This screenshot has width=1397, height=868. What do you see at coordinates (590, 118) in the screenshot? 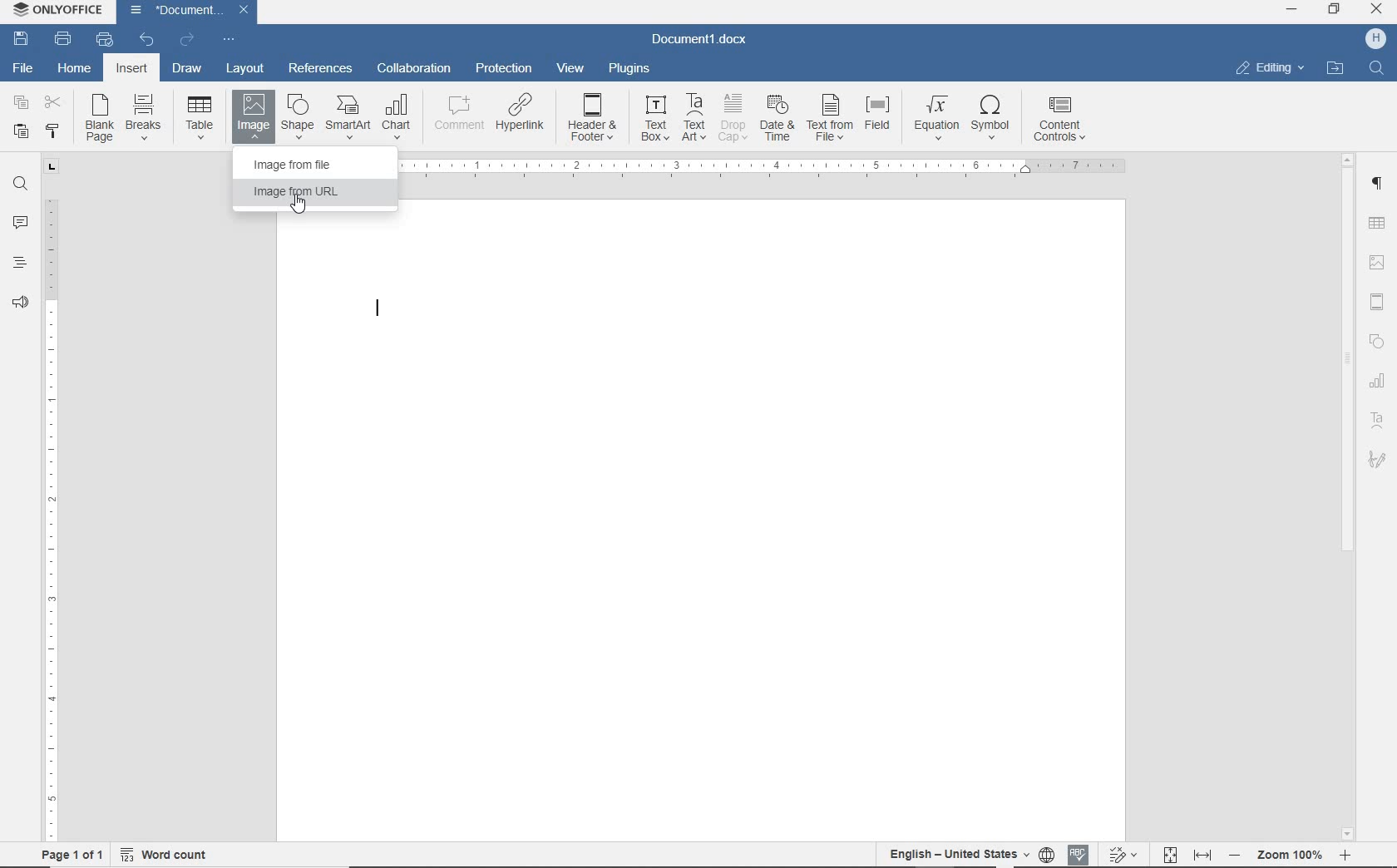
I see `header&footer` at bounding box center [590, 118].